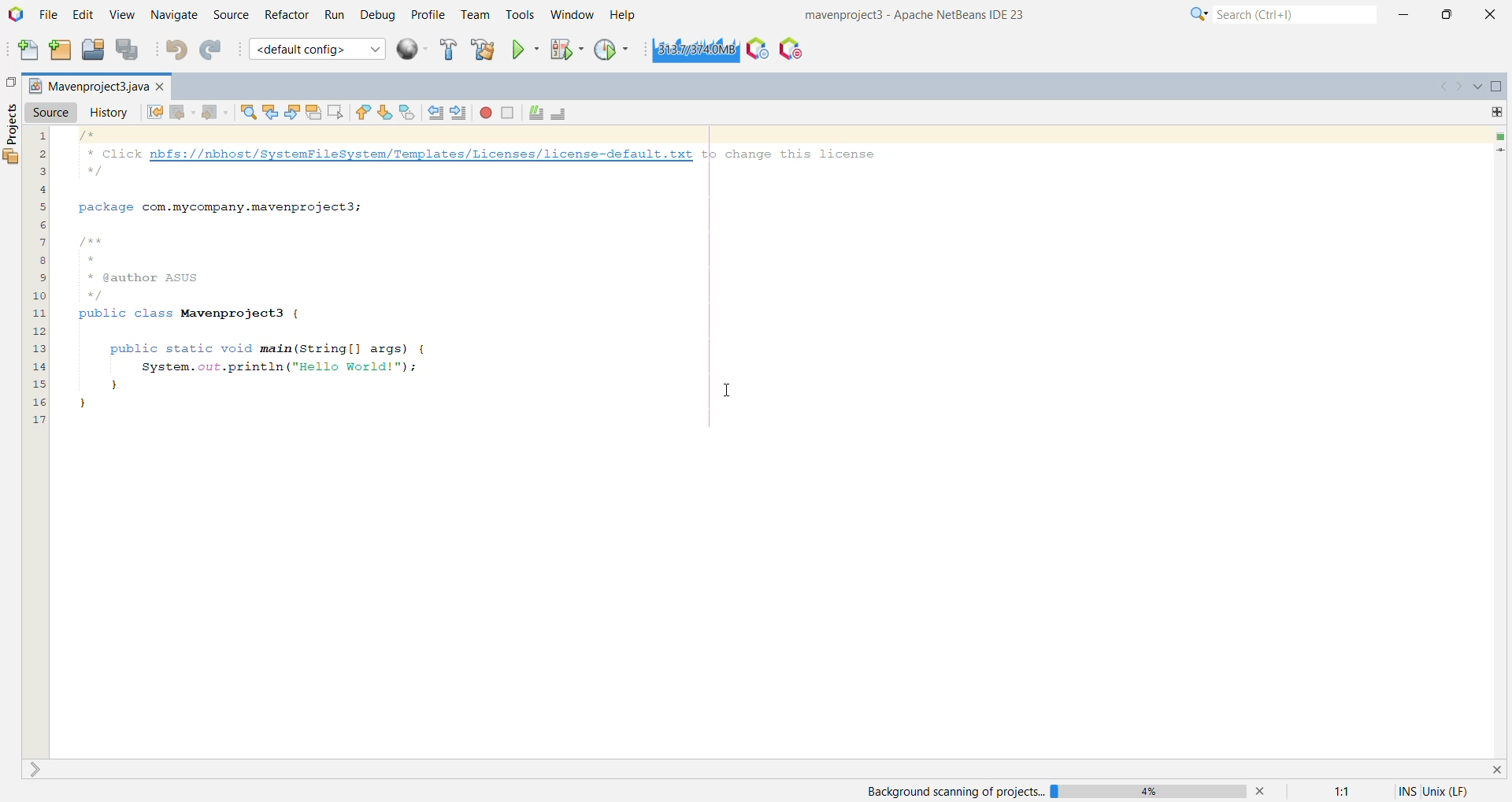 This screenshot has width=1512, height=802. Describe the element at coordinates (335, 113) in the screenshot. I see `Toggle Rectangular Selection` at that location.